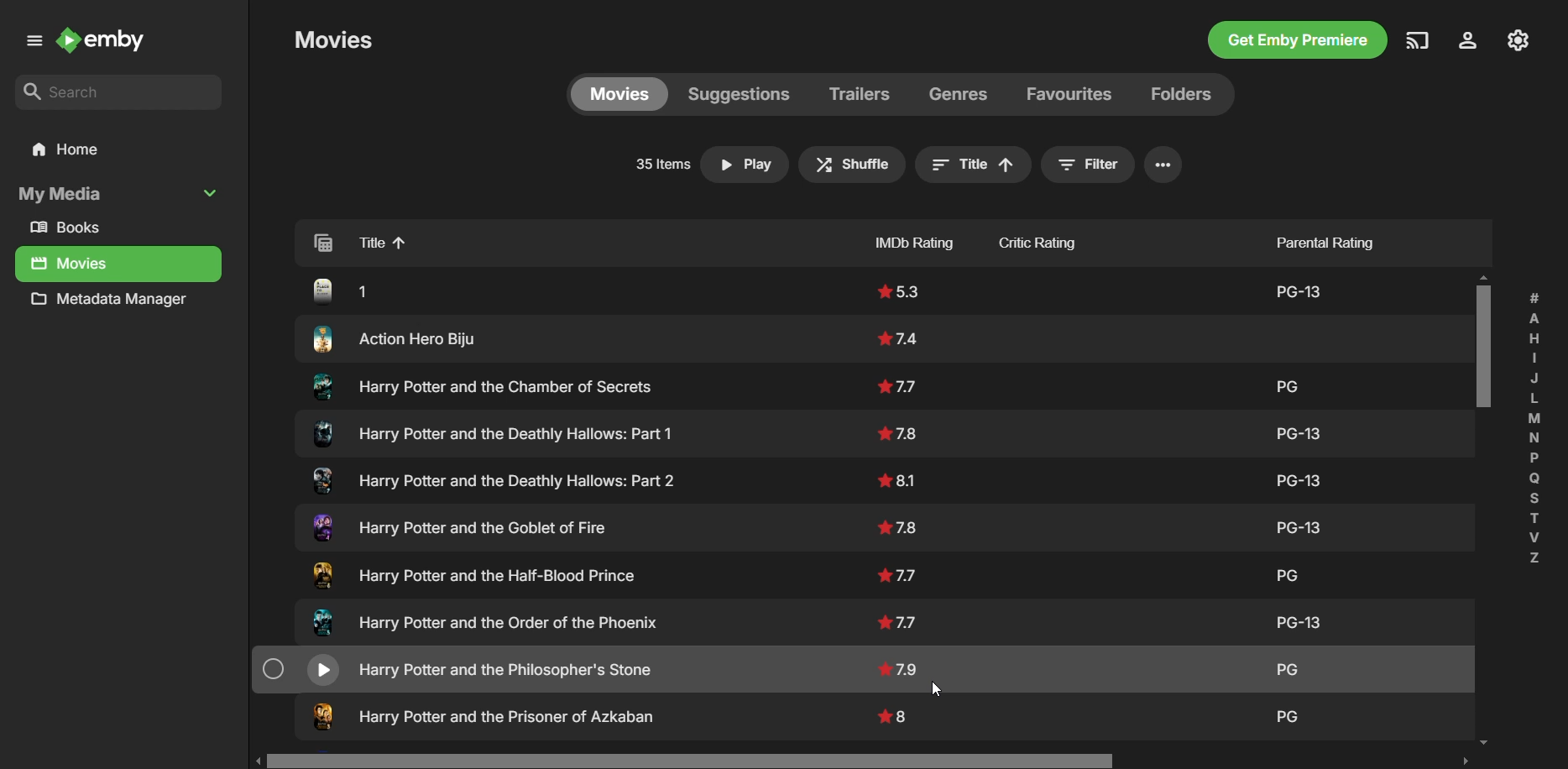 This screenshot has width=1568, height=769. What do you see at coordinates (1298, 287) in the screenshot?
I see `` at bounding box center [1298, 287].